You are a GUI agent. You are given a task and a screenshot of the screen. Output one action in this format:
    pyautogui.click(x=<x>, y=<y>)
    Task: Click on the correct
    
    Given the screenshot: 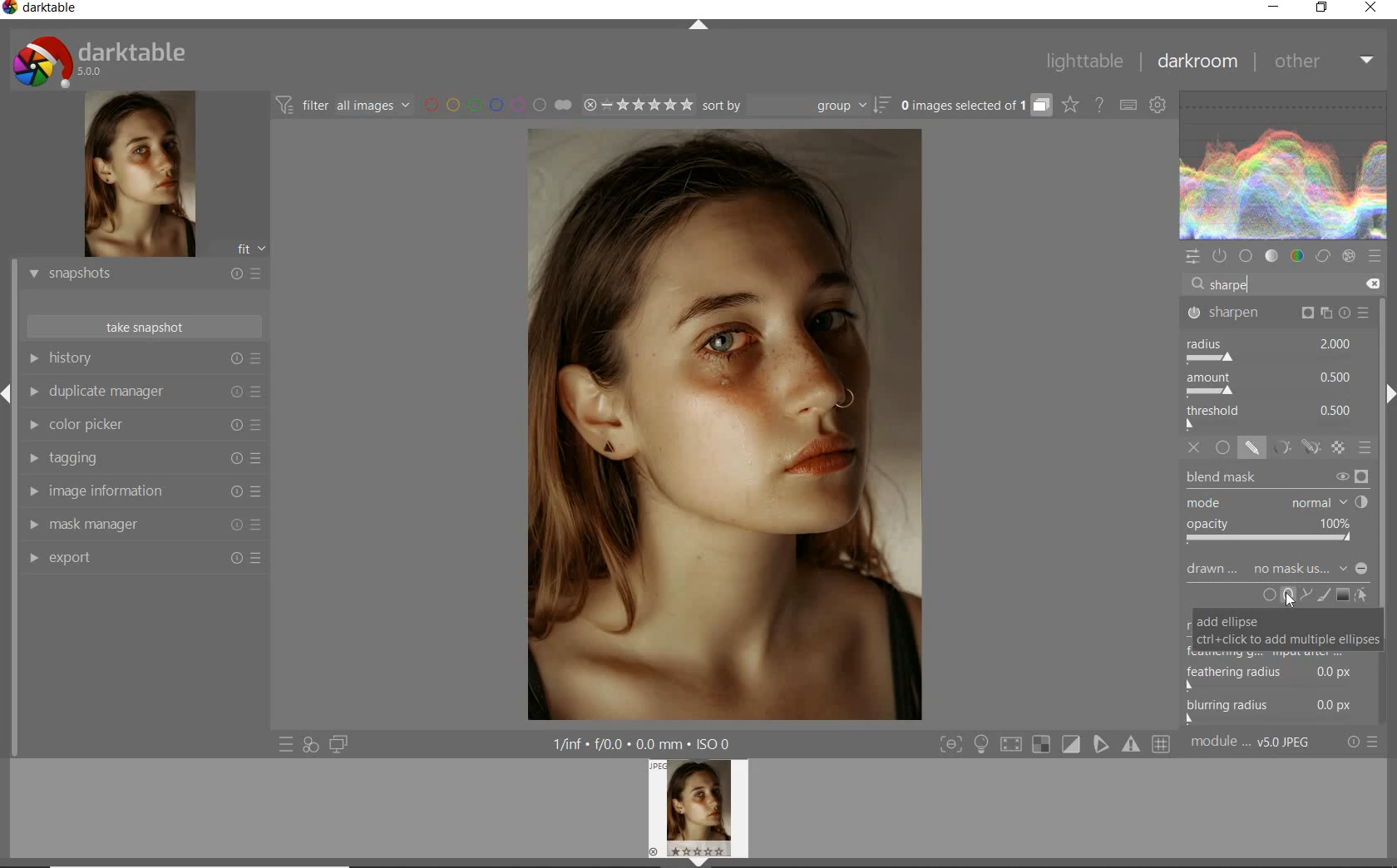 What is the action you would take?
    pyautogui.click(x=1322, y=258)
    